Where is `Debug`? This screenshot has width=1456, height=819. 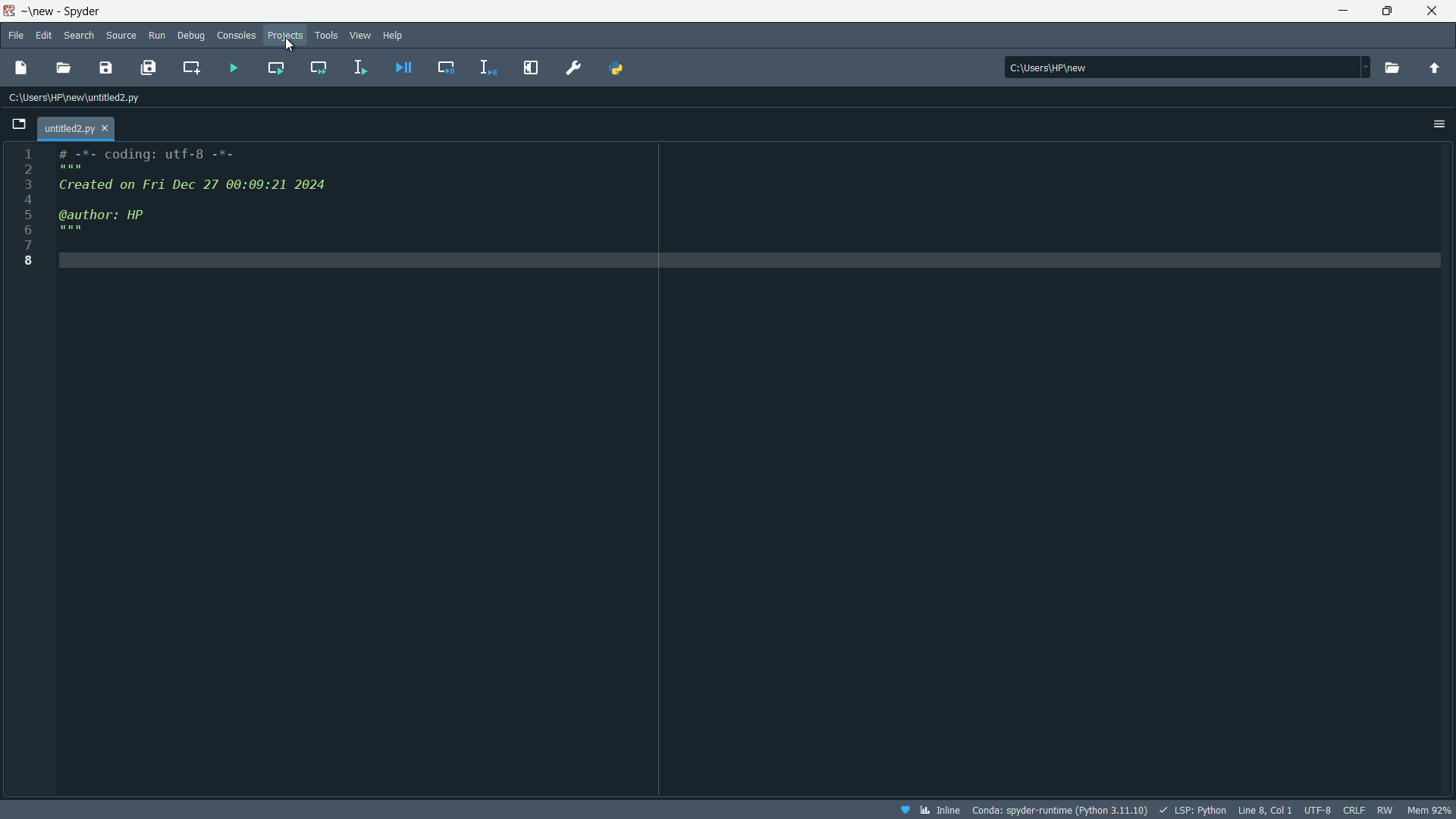
Debug is located at coordinates (191, 36).